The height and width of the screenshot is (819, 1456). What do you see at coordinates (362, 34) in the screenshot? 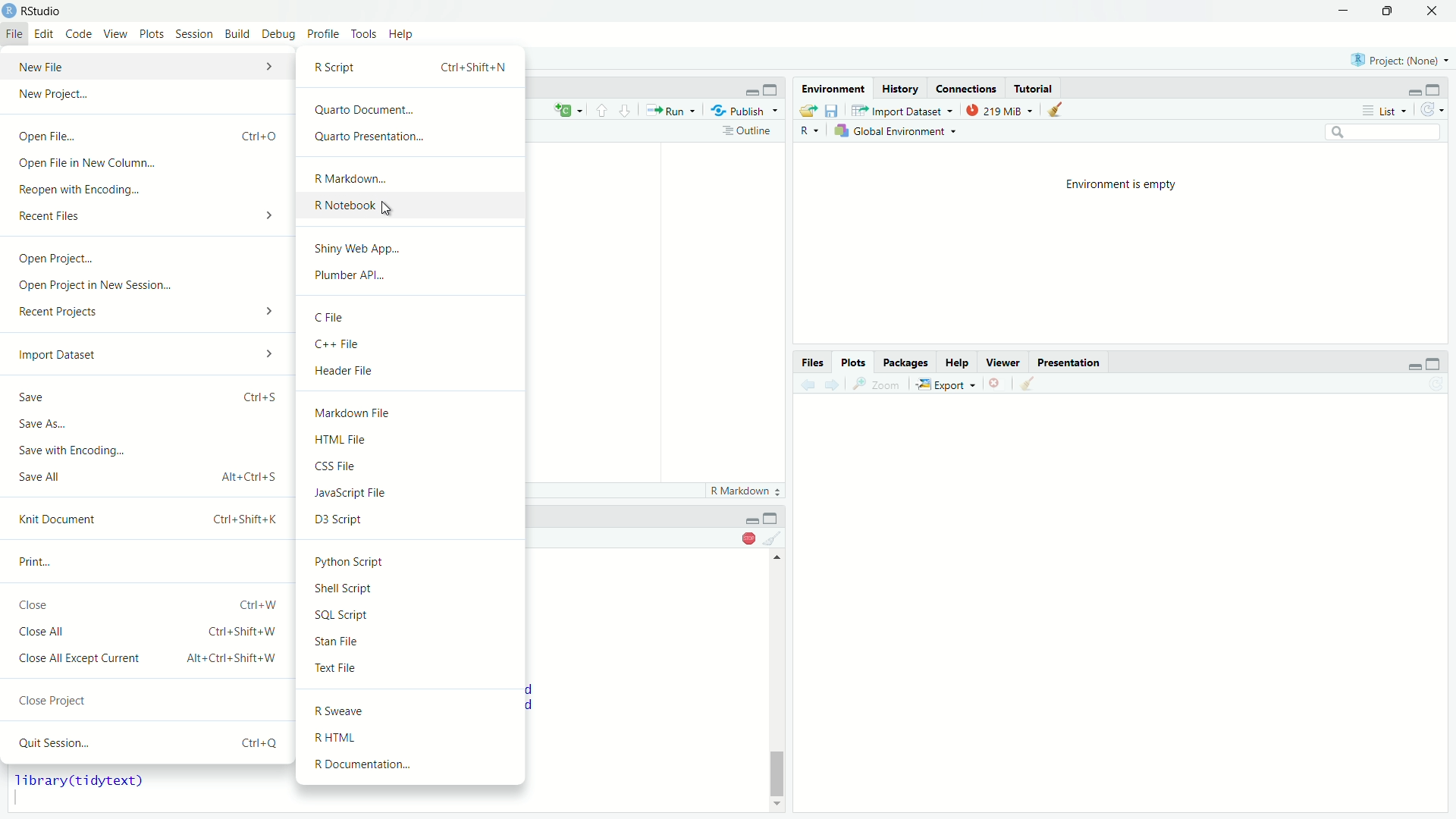
I see `Tools` at bounding box center [362, 34].